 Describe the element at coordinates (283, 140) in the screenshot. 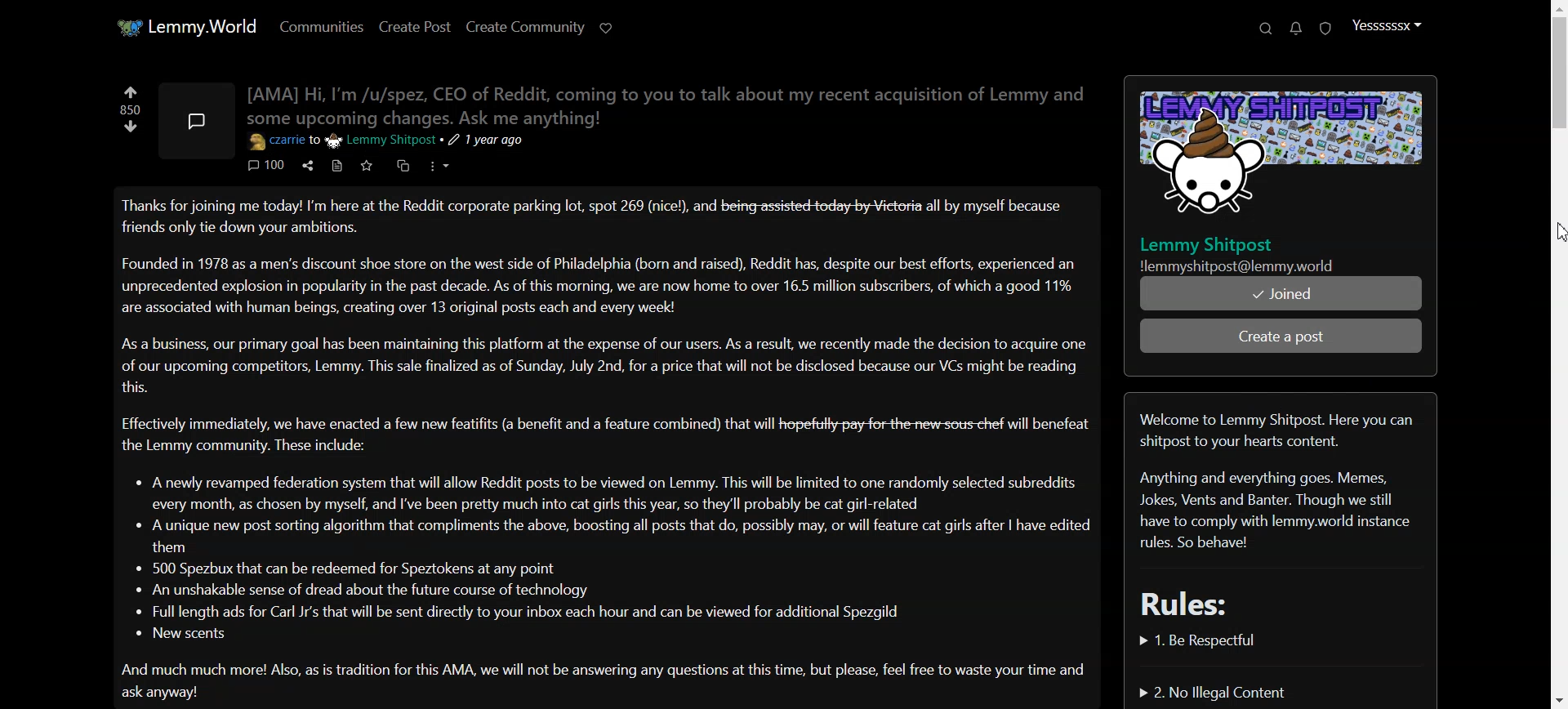

I see `czarrie to` at that location.